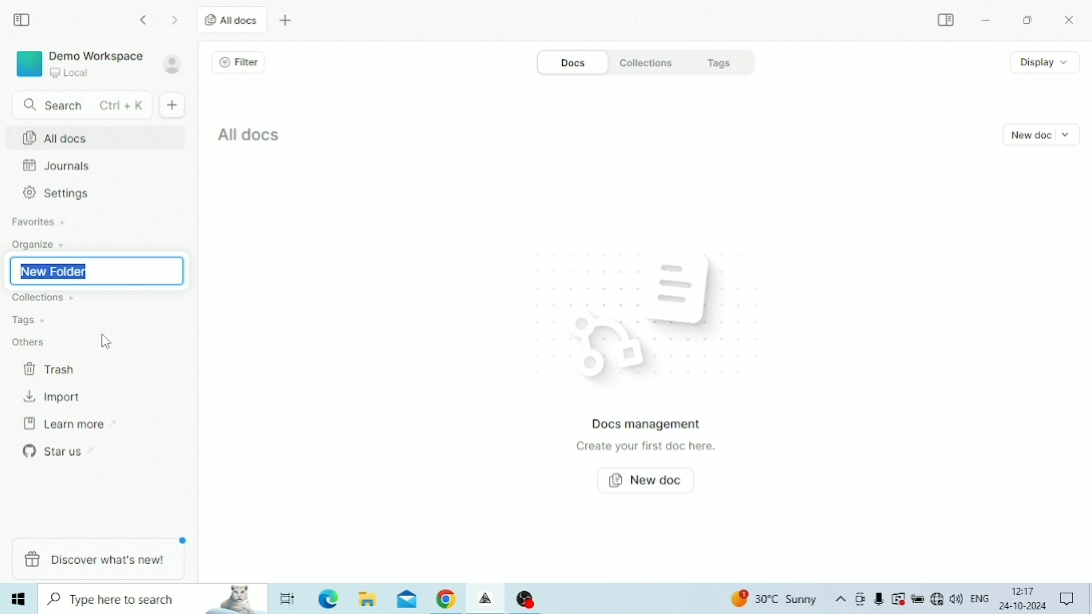 The height and width of the screenshot is (614, 1092). Describe the element at coordinates (1043, 135) in the screenshot. I see `New doc` at that location.